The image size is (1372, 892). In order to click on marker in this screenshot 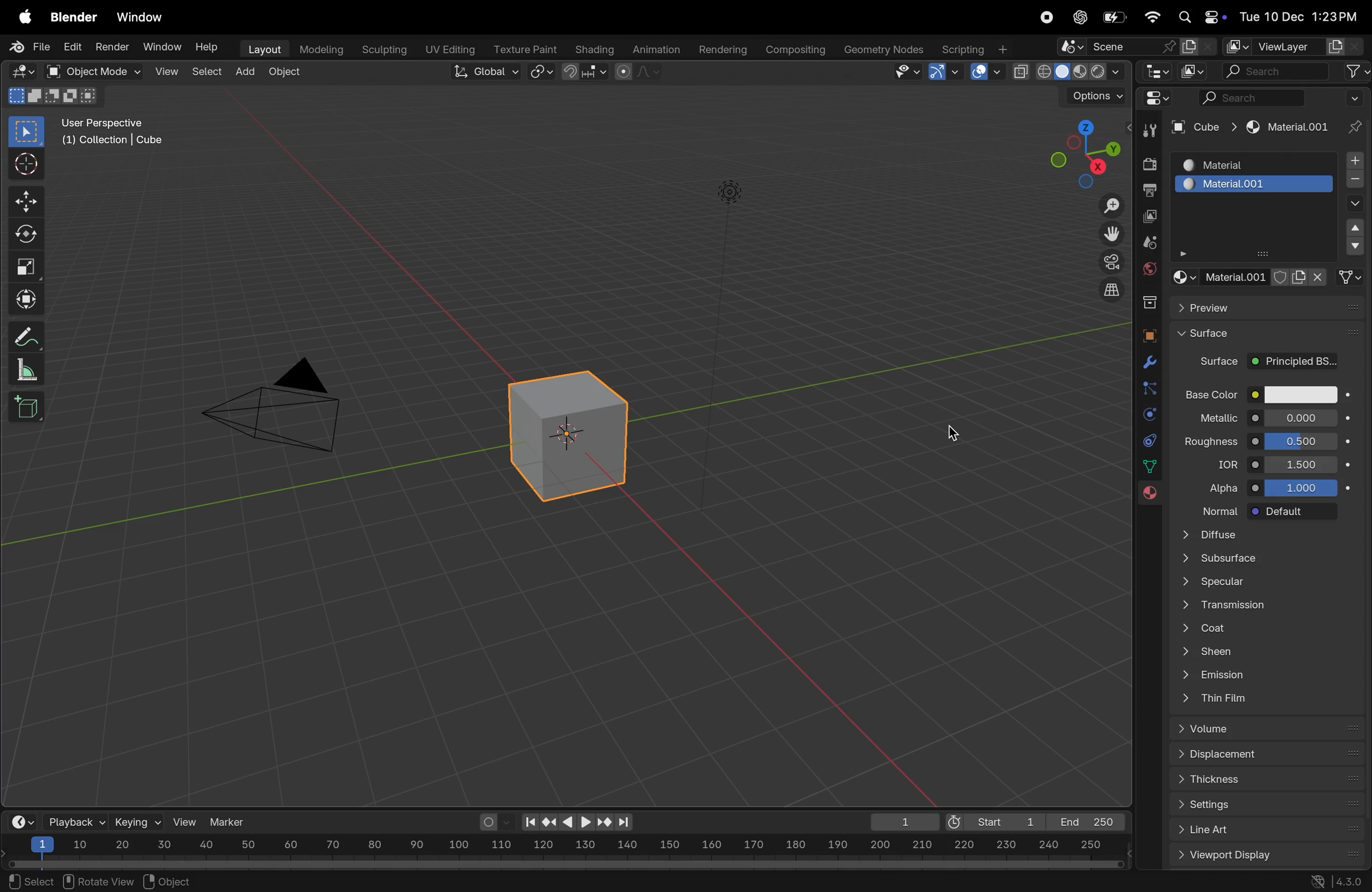, I will do `click(232, 821)`.